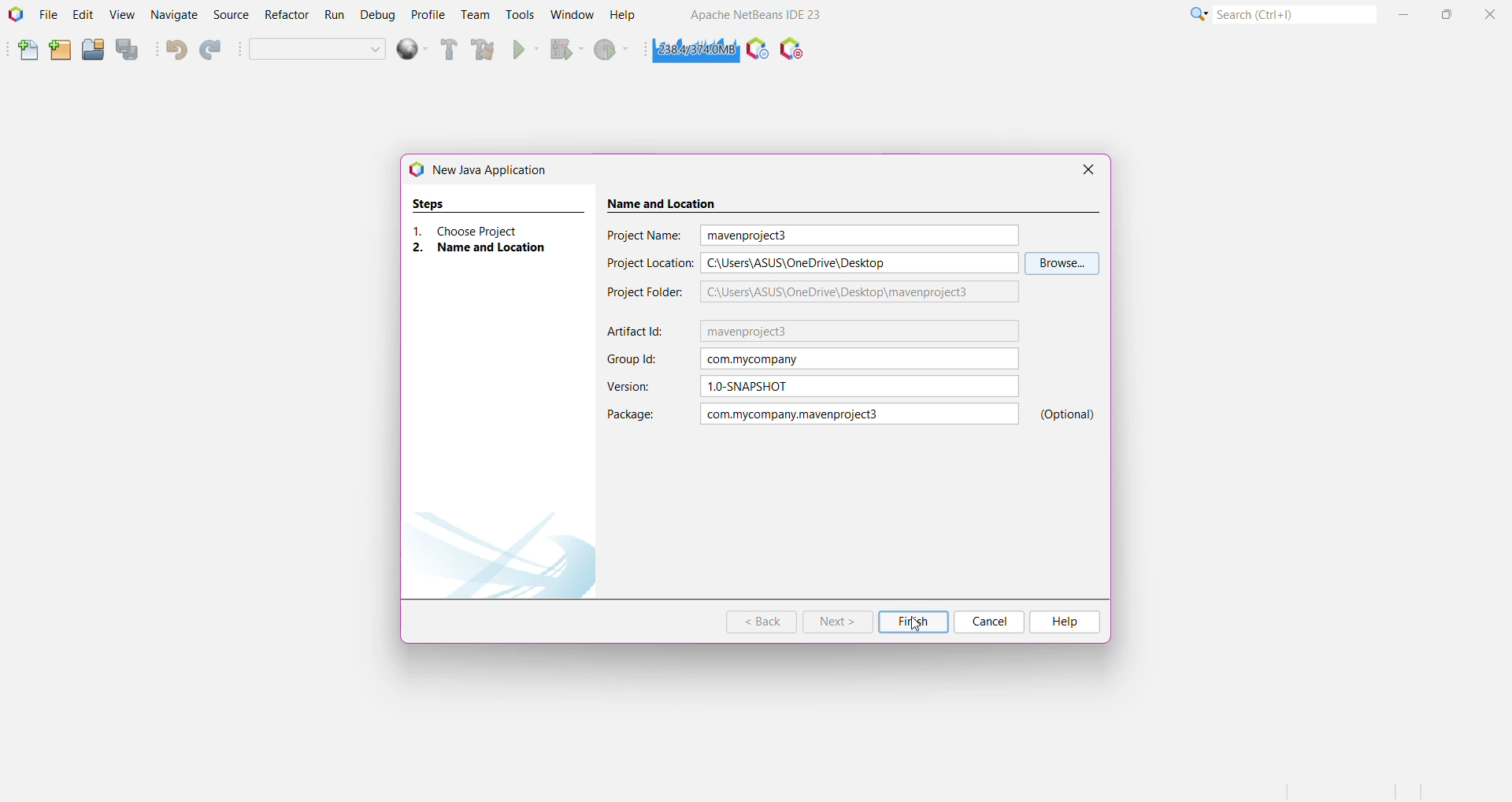 The width and height of the screenshot is (1512, 802). Describe the element at coordinates (1065, 621) in the screenshot. I see `Help` at that location.